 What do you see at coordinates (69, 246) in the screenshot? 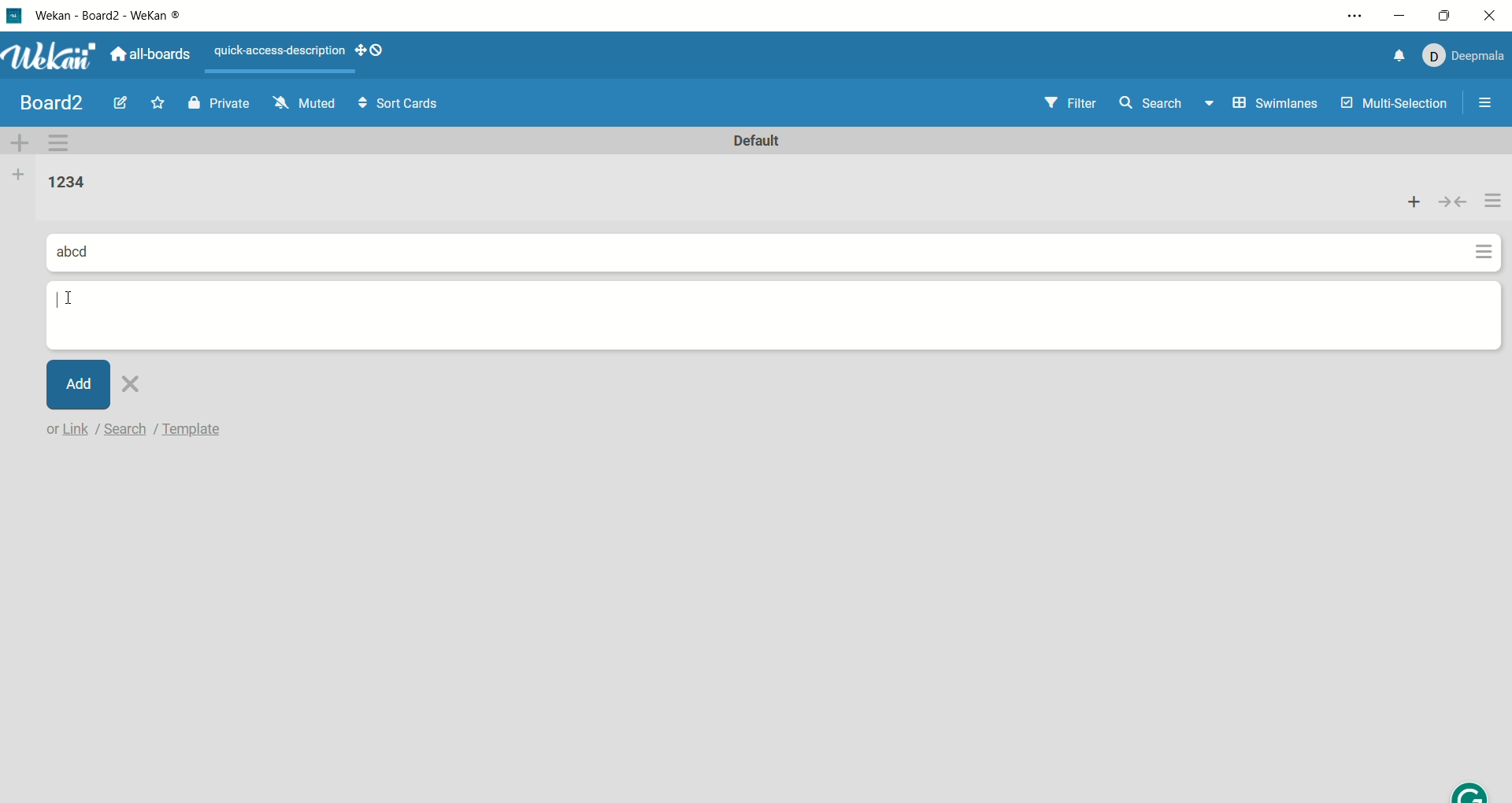
I see `card title` at bounding box center [69, 246].